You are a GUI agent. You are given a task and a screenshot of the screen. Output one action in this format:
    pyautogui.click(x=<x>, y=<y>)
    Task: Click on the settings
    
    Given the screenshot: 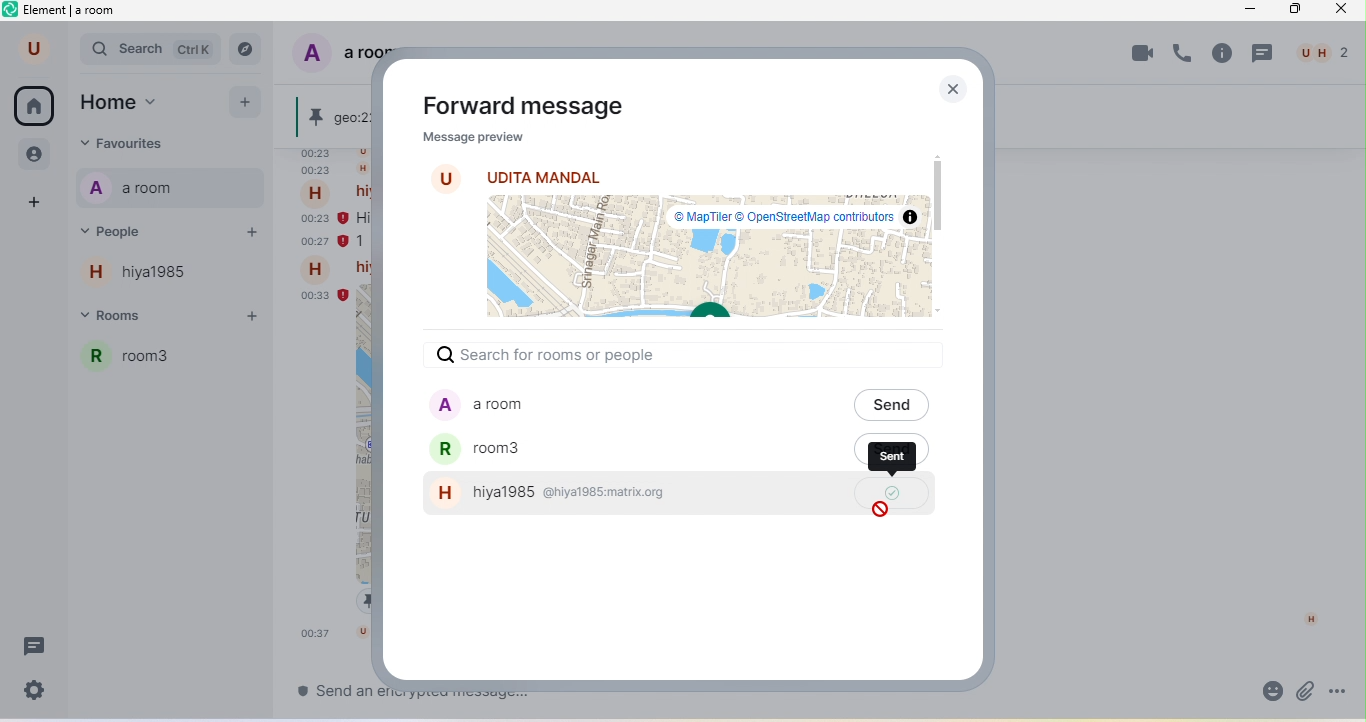 What is the action you would take?
    pyautogui.click(x=37, y=690)
    